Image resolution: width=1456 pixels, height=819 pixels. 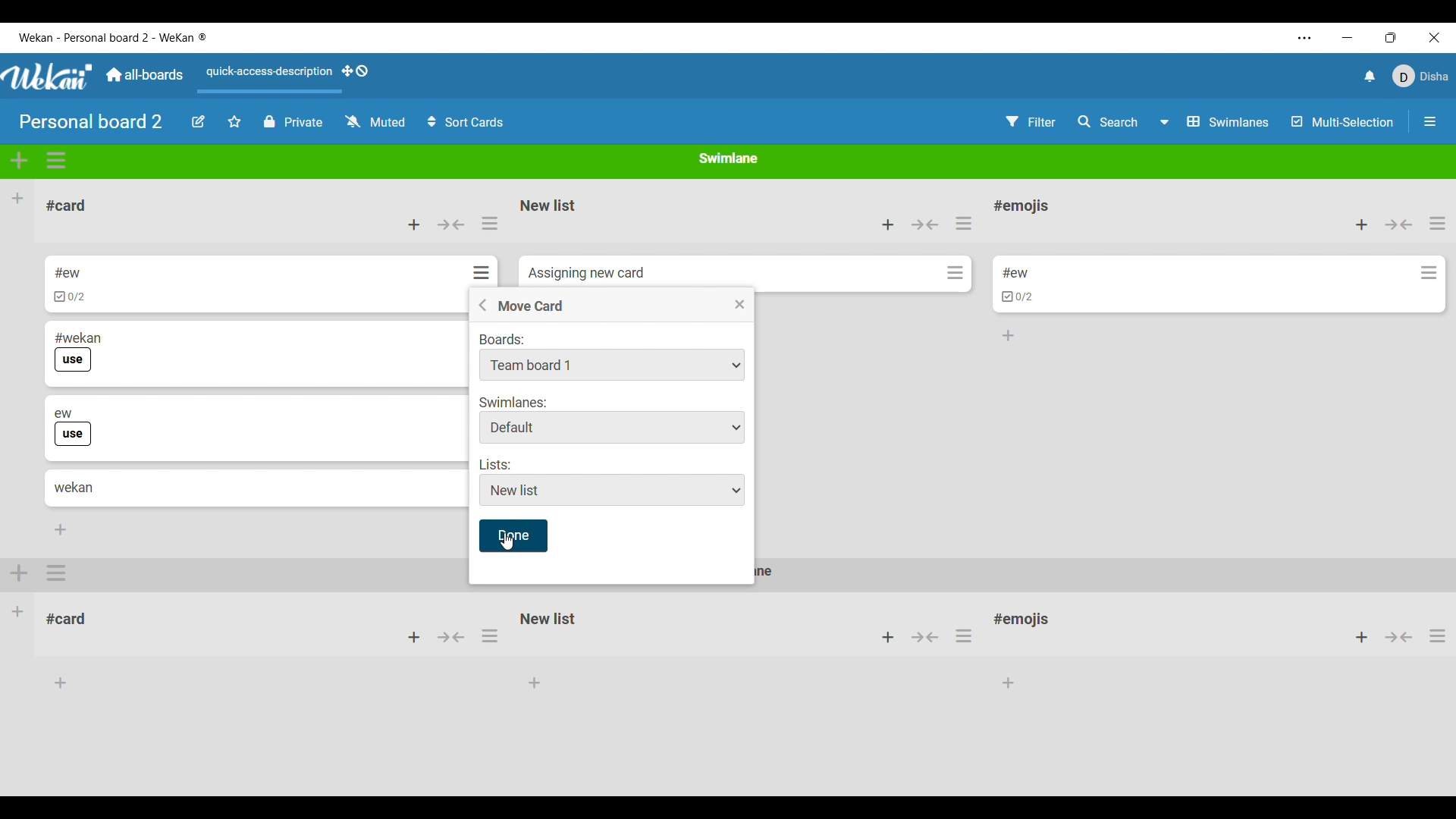 I want to click on cursor, so click(x=506, y=543).